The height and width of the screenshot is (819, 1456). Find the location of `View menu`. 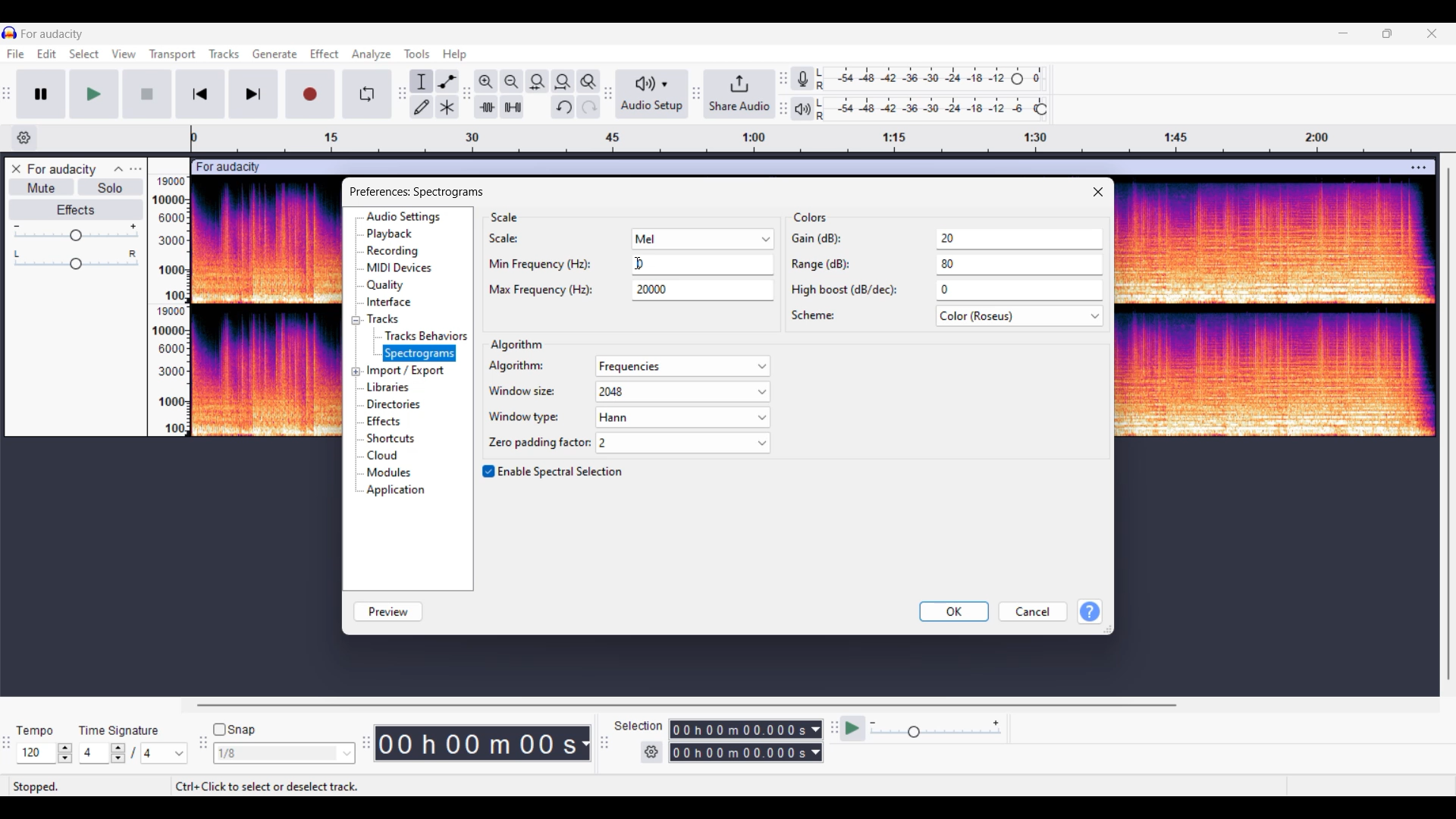

View menu is located at coordinates (124, 54).